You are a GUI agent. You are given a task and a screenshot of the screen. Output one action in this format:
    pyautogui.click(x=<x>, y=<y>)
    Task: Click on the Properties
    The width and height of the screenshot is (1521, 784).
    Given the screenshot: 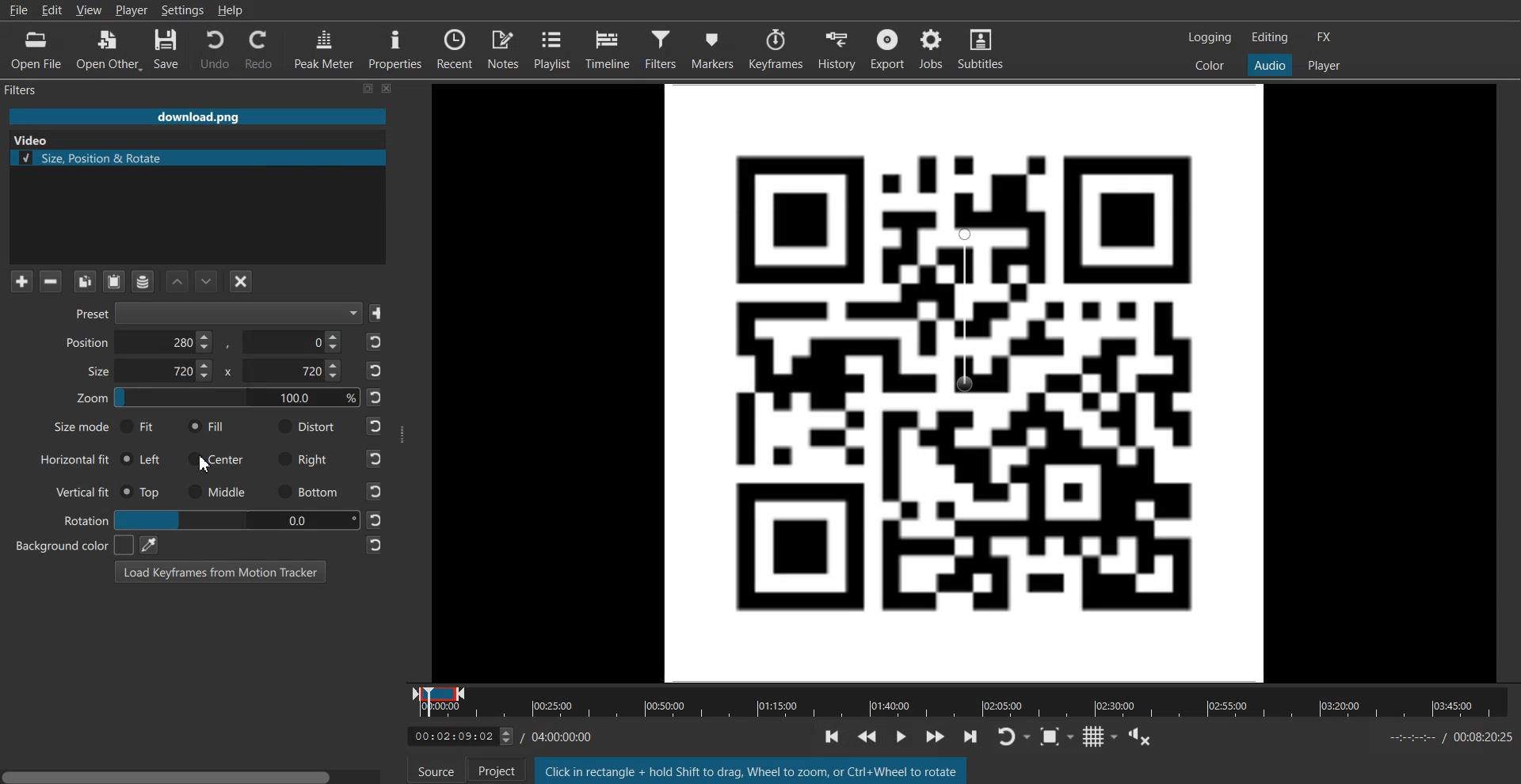 What is the action you would take?
    pyautogui.click(x=395, y=49)
    